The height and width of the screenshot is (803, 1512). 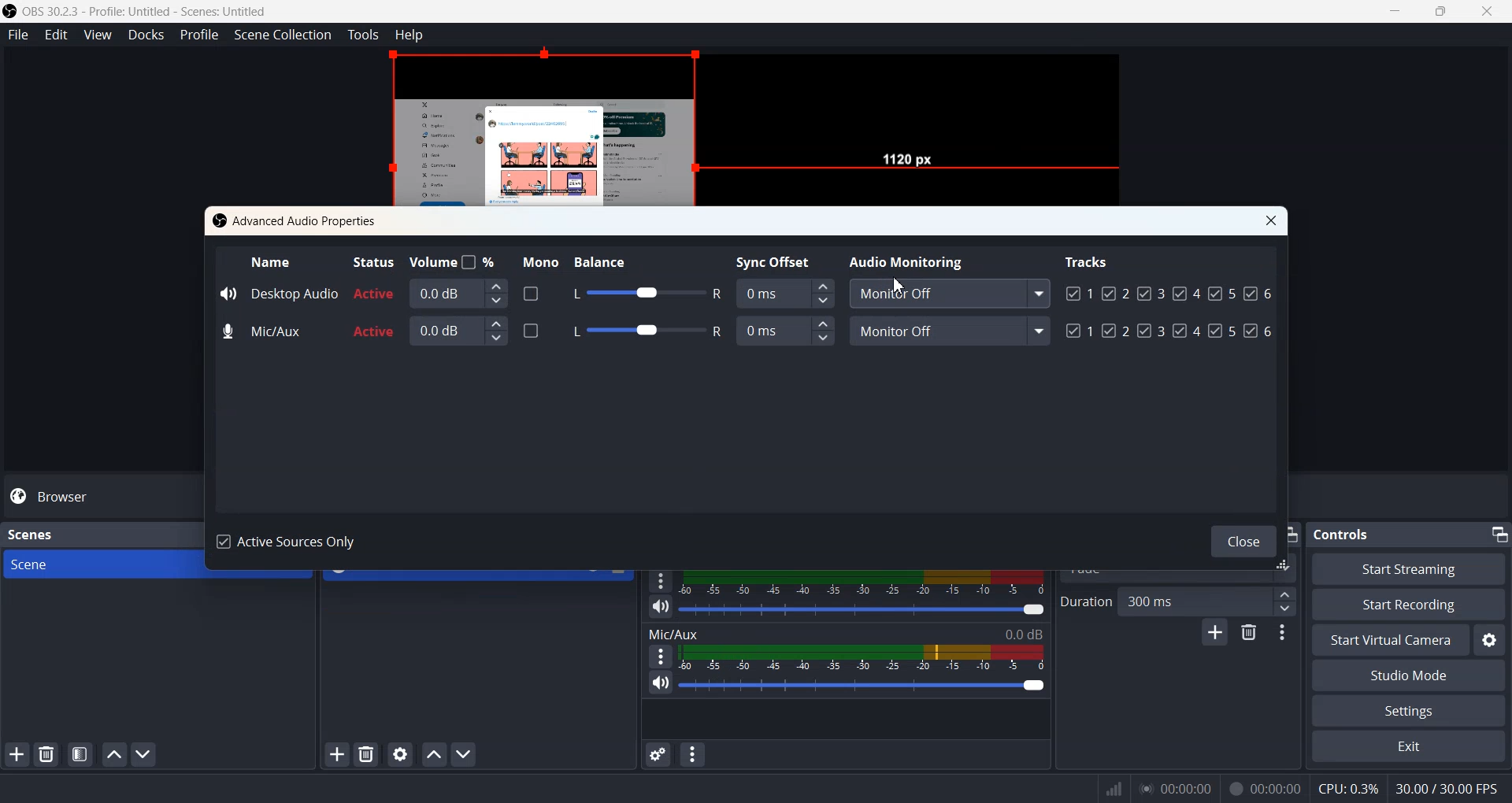 What do you see at coordinates (459, 330) in the screenshot?
I see `0.0 dB` at bounding box center [459, 330].